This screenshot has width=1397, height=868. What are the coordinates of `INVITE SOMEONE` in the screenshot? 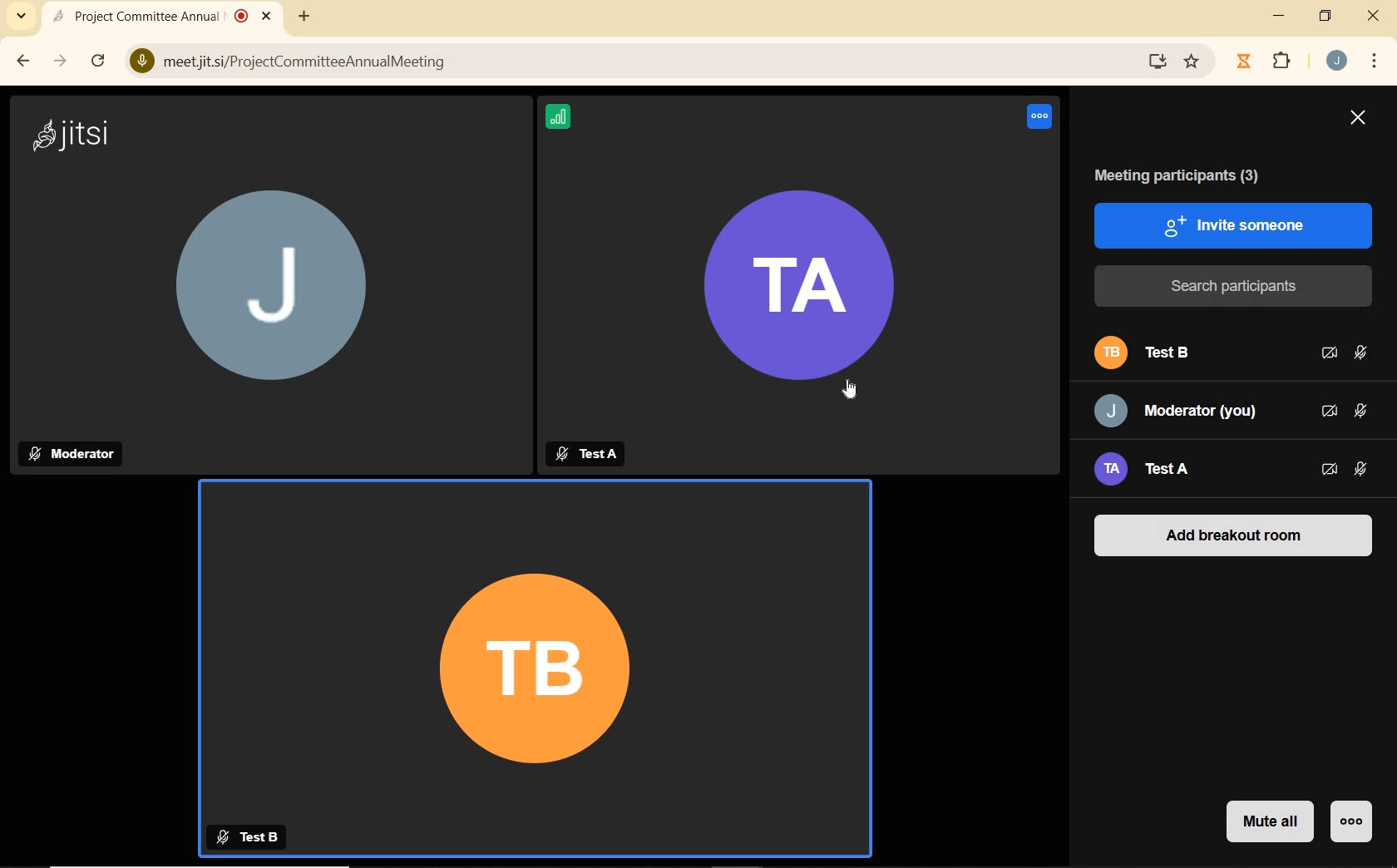 It's located at (1233, 224).